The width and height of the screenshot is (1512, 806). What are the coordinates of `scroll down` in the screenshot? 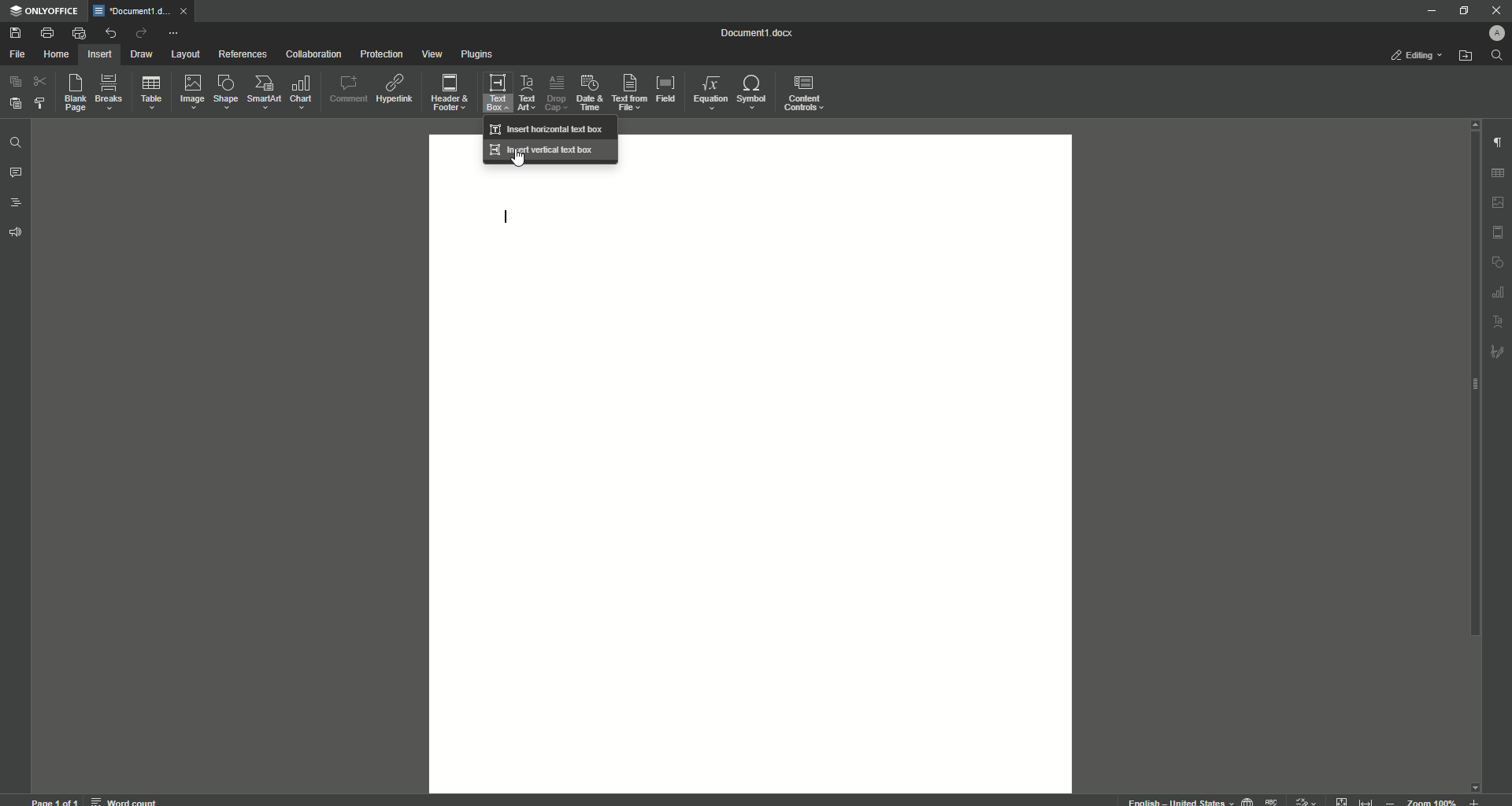 It's located at (1474, 783).